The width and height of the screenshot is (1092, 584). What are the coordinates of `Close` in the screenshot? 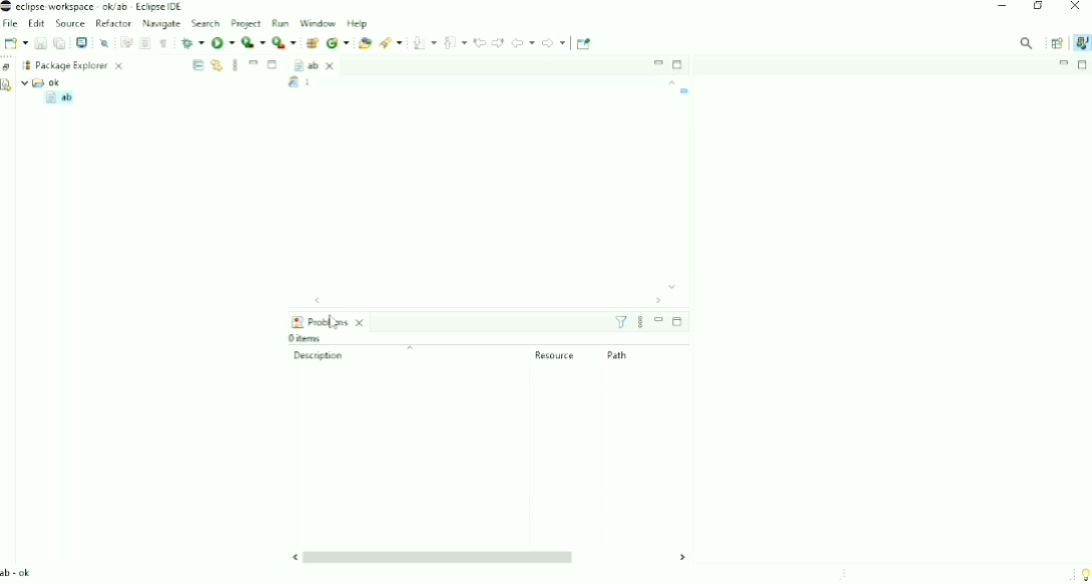 It's located at (1076, 8).